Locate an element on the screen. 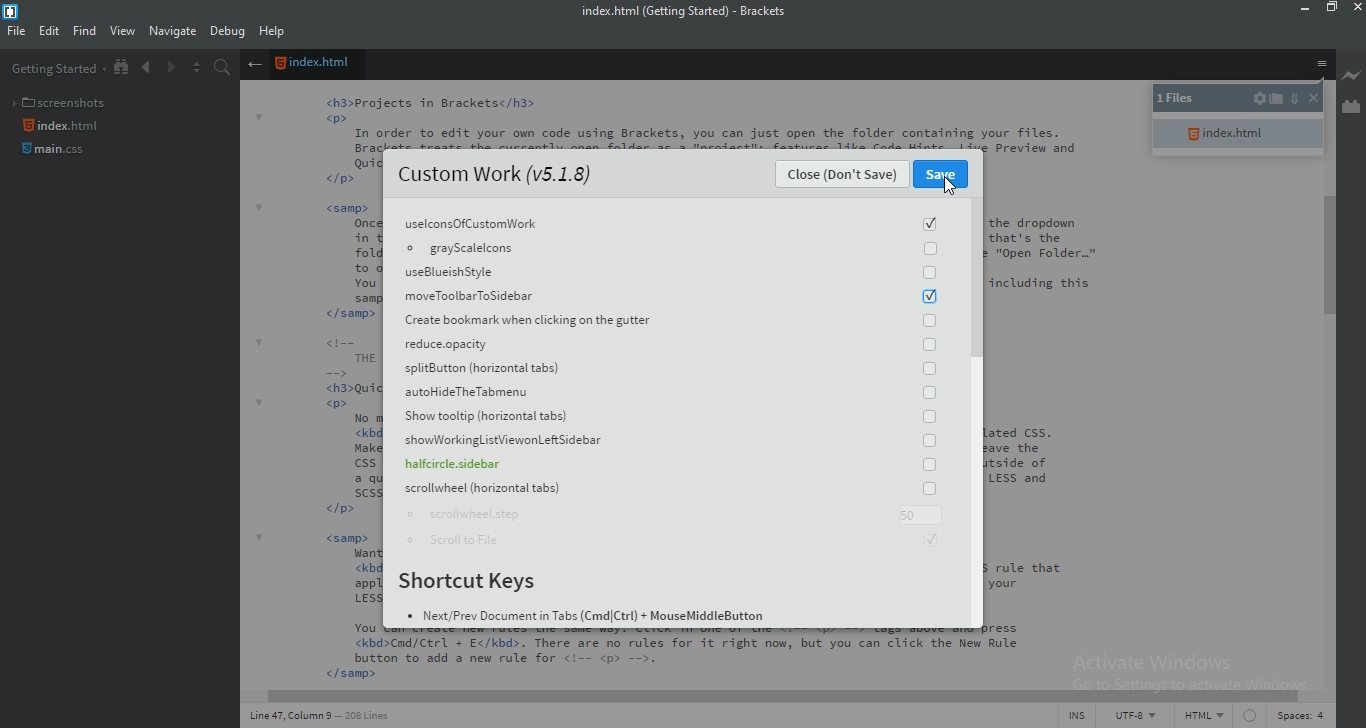 Image resolution: width=1366 pixels, height=728 pixels. showWorkingListViewonLeft Sidebar is located at coordinates (667, 442).